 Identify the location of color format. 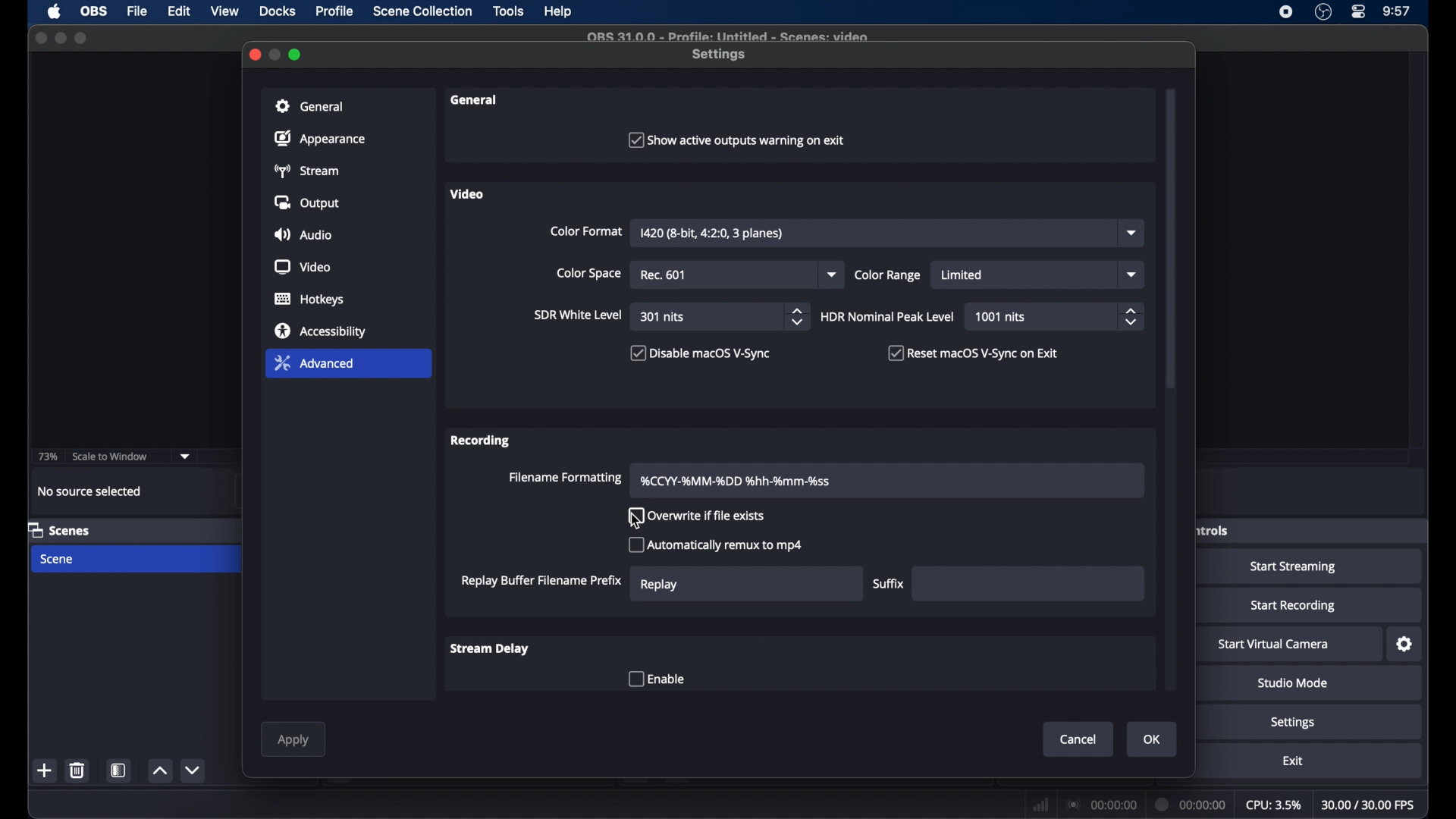
(586, 231).